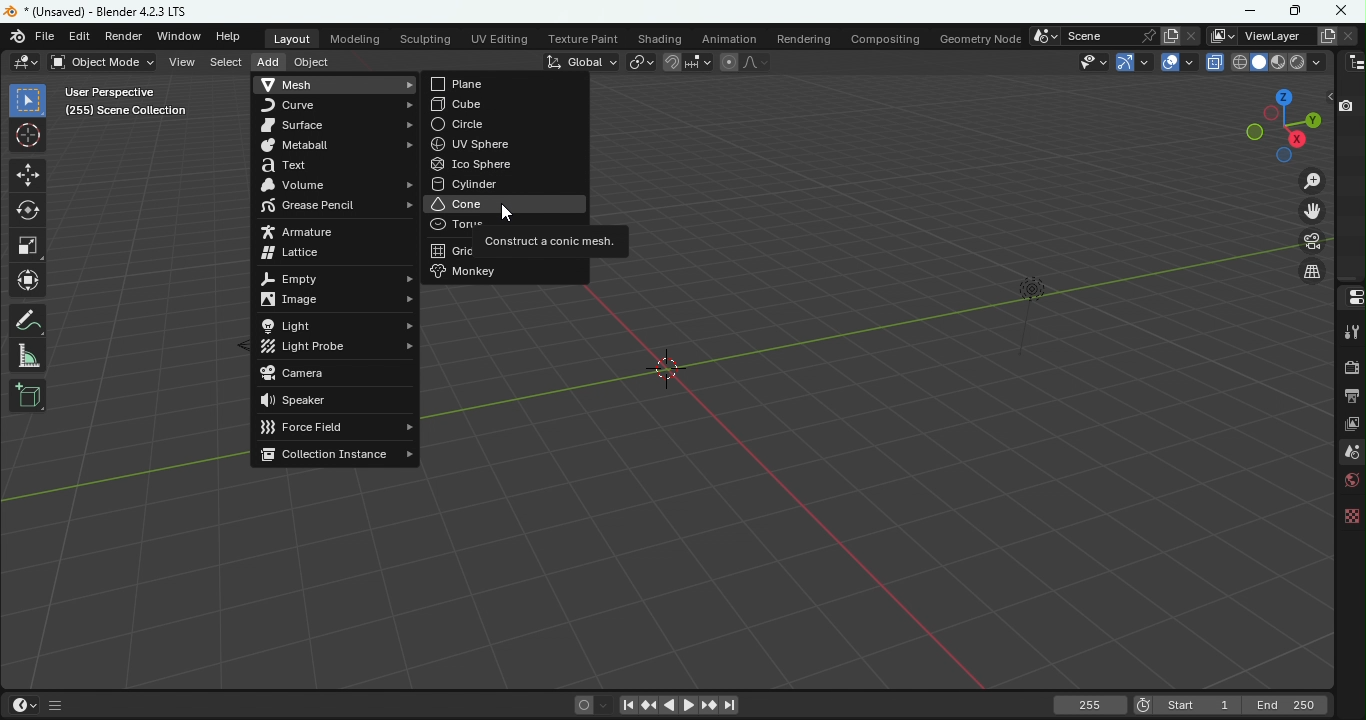  Describe the element at coordinates (888, 37) in the screenshot. I see `Compositing` at that location.